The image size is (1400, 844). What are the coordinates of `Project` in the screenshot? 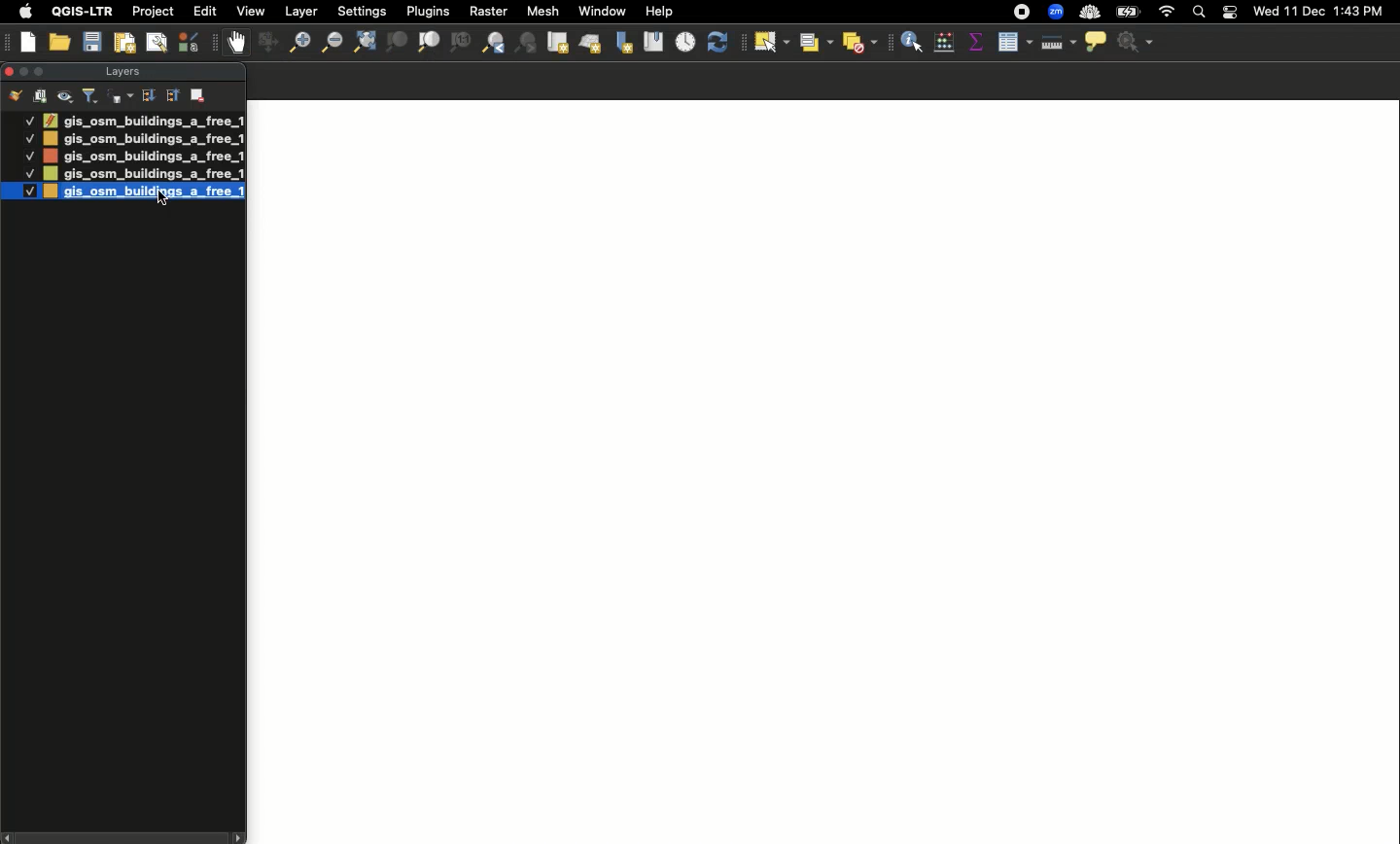 It's located at (153, 13).